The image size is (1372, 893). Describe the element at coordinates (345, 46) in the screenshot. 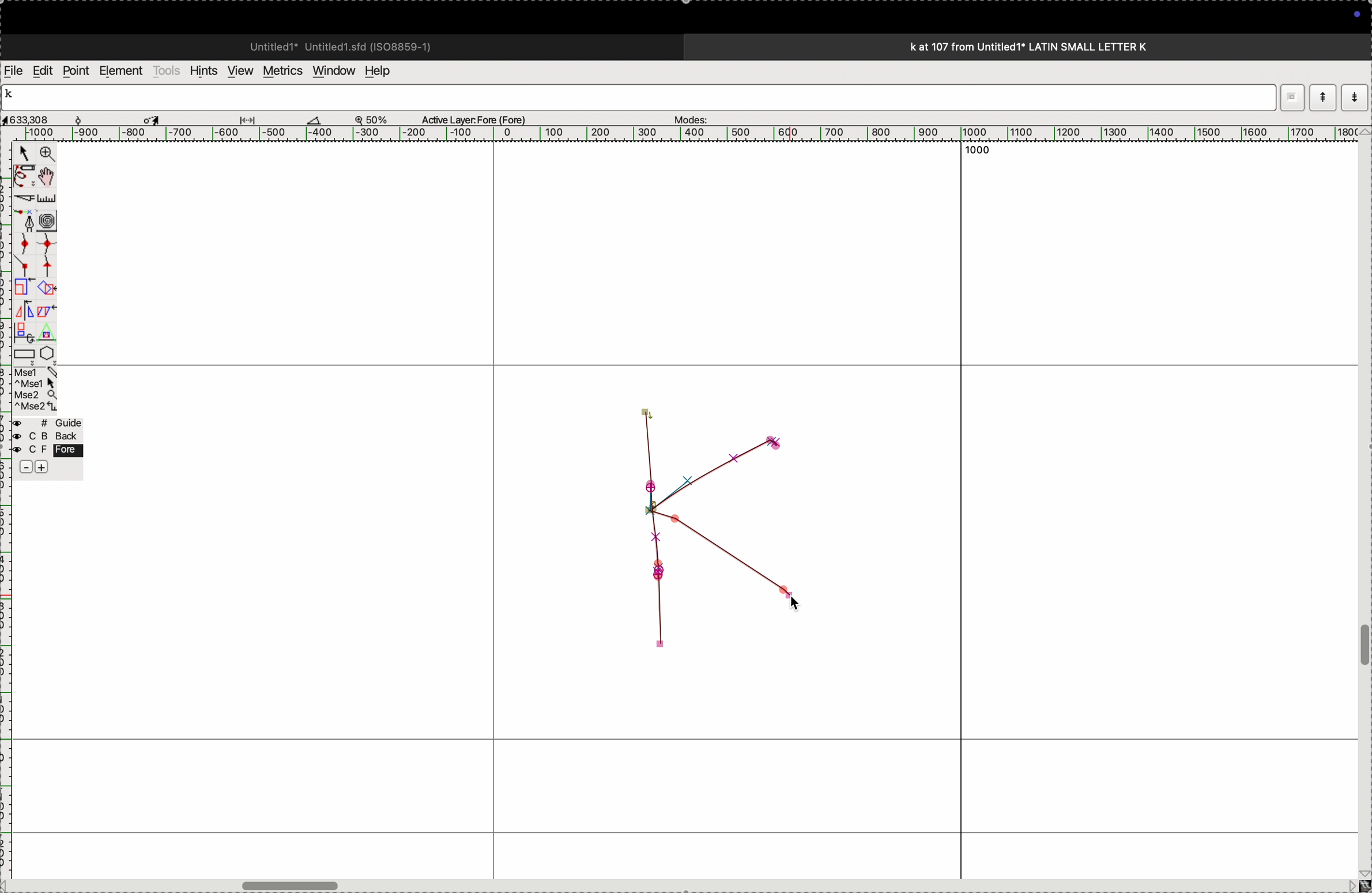

I see `untitled std` at that location.